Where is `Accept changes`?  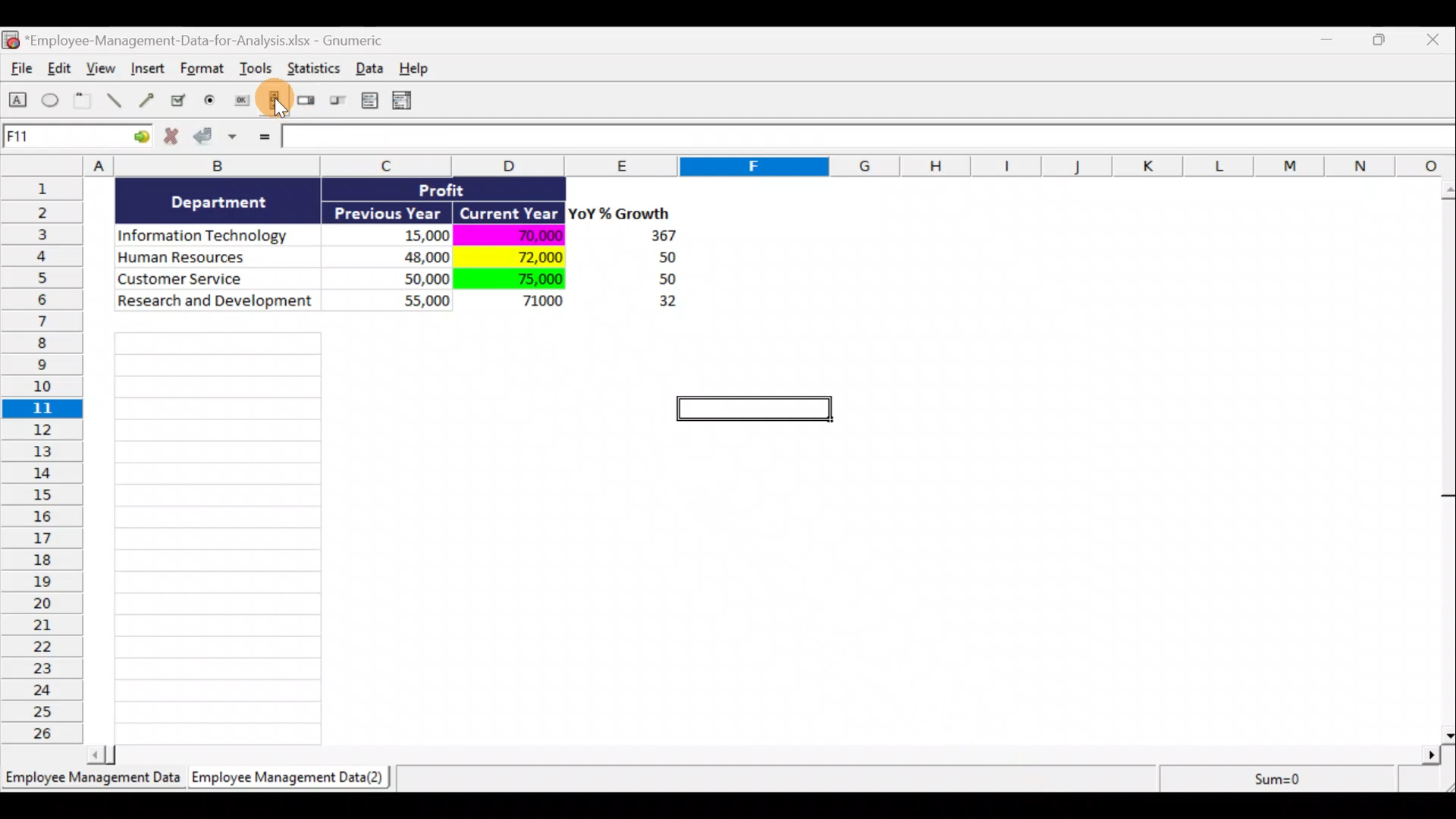
Accept changes is located at coordinates (218, 142).